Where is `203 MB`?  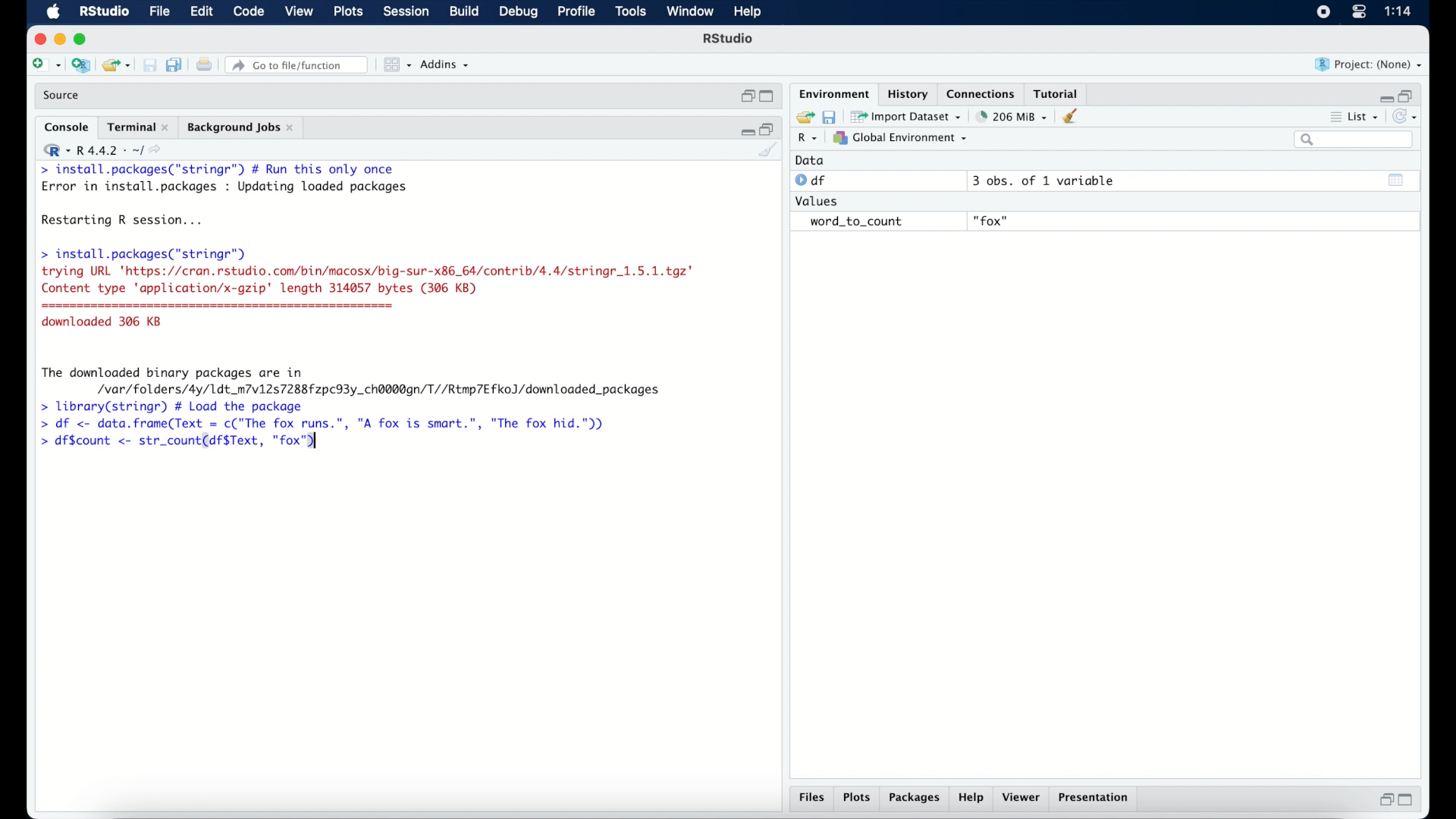 203 MB is located at coordinates (1013, 117).